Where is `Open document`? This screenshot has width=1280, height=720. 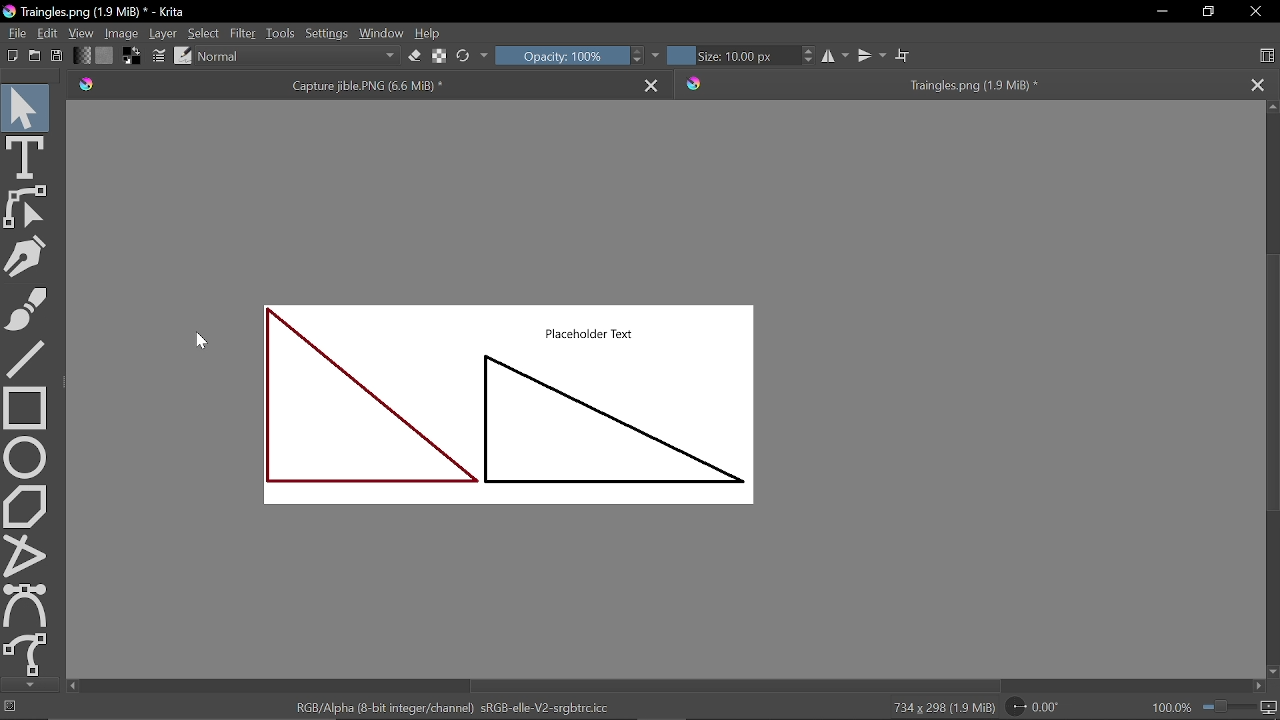
Open document is located at coordinates (34, 56).